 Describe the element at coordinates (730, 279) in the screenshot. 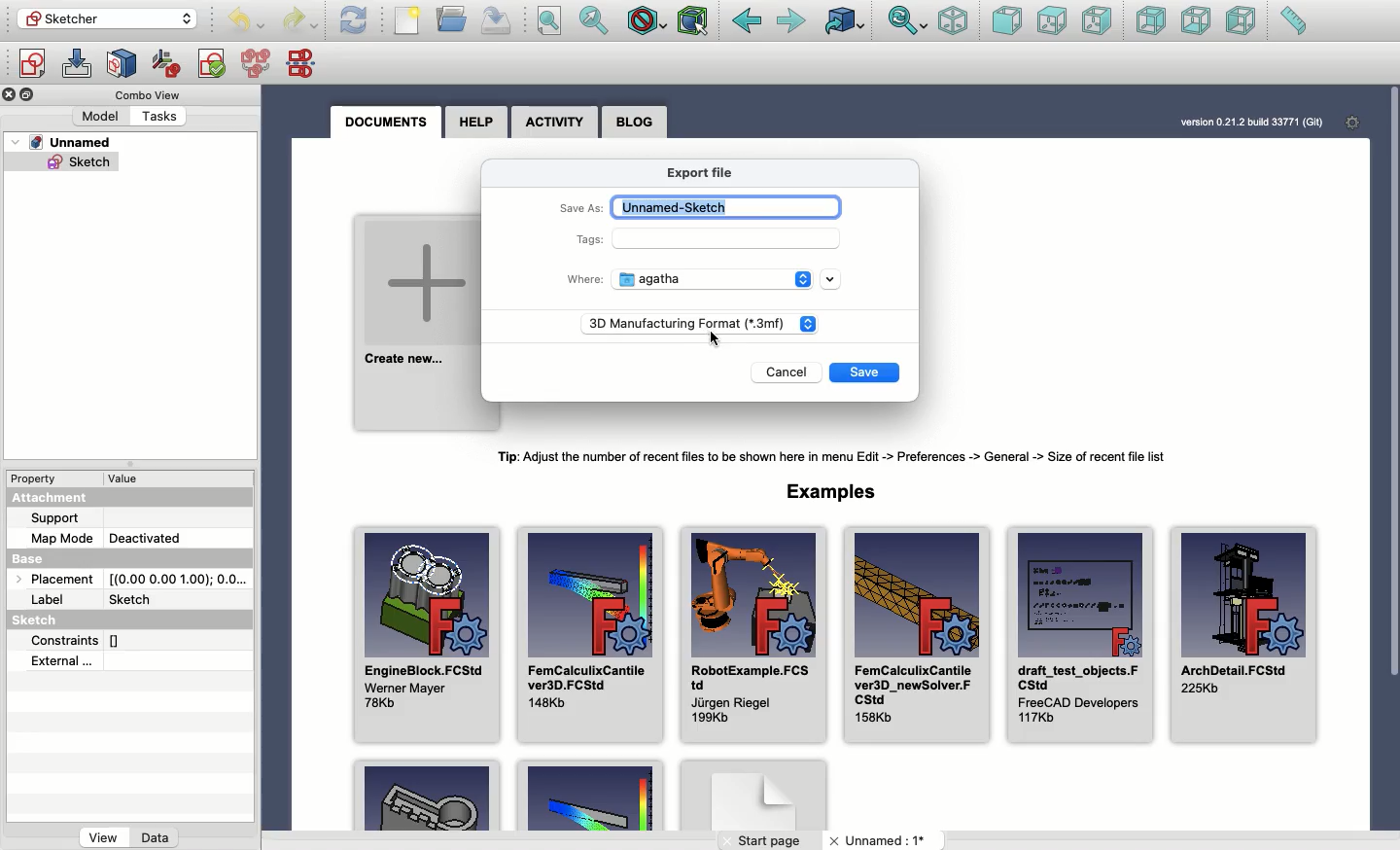

I see `Agatha - location` at that location.